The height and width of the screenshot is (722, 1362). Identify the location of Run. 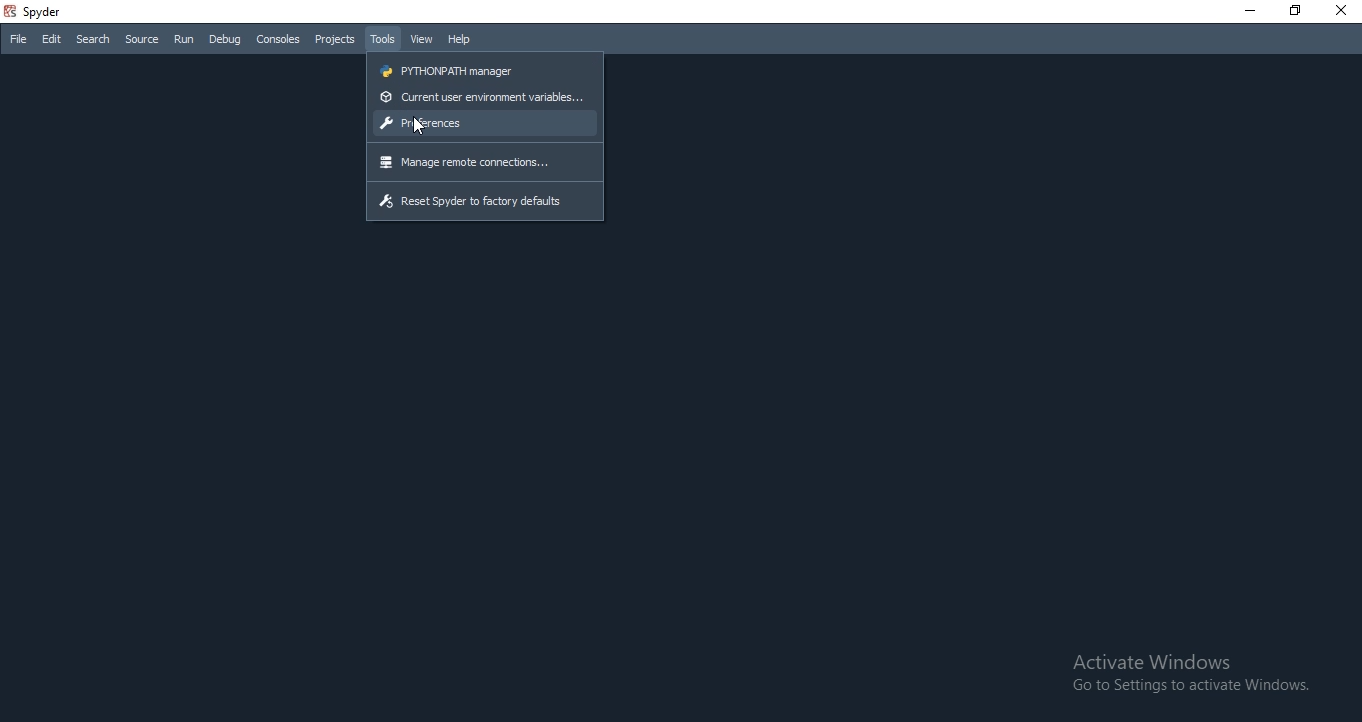
(184, 40).